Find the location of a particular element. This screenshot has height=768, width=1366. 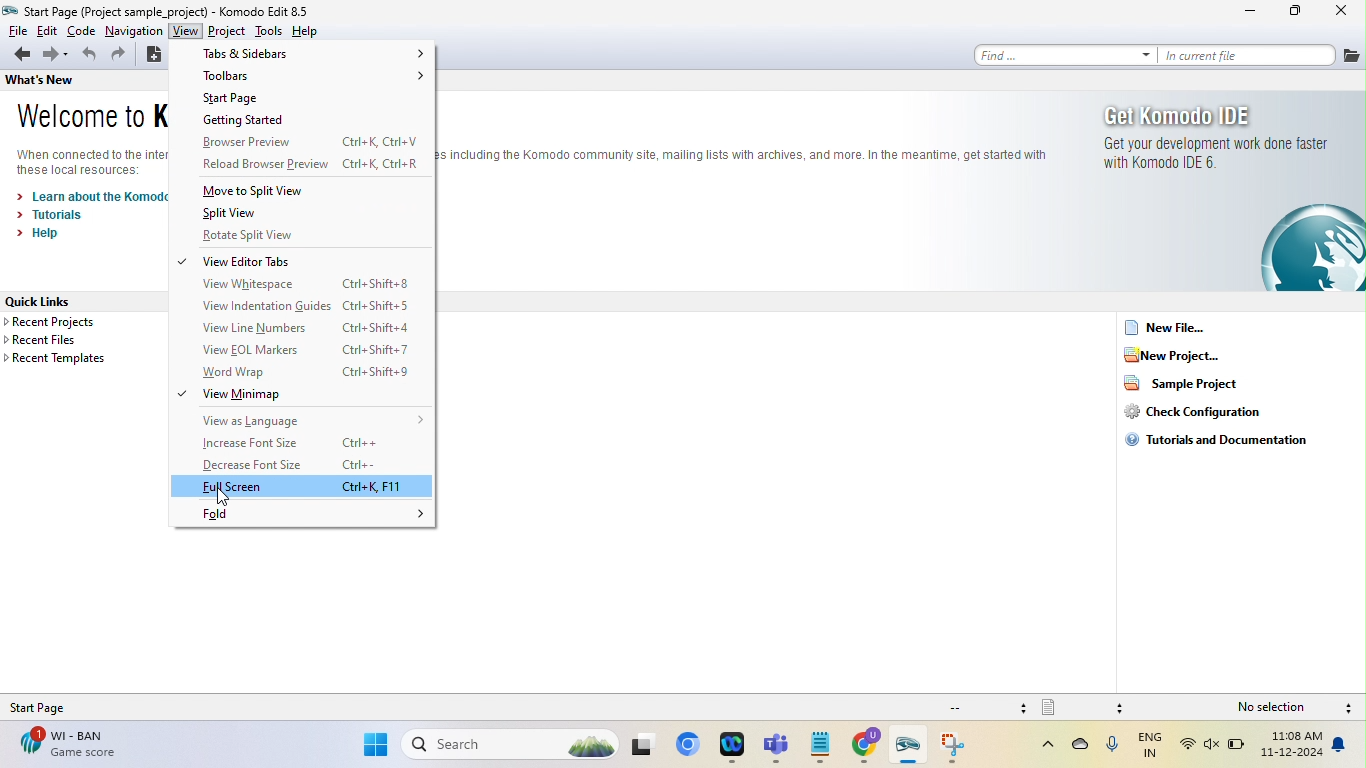

start is located at coordinates (374, 747).